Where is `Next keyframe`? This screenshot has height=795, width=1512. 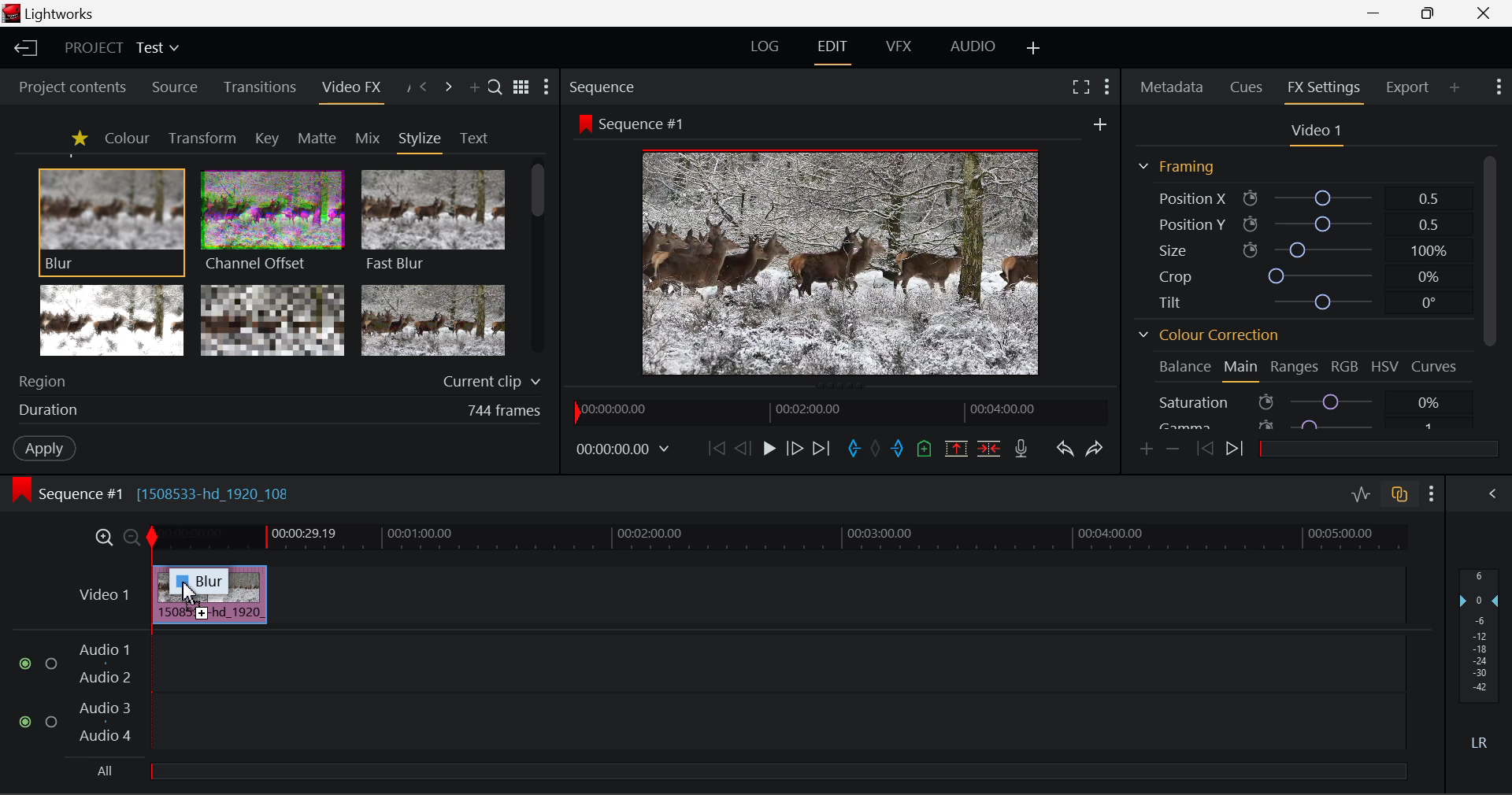
Next keyframe is located at coordinates (1235, 452).